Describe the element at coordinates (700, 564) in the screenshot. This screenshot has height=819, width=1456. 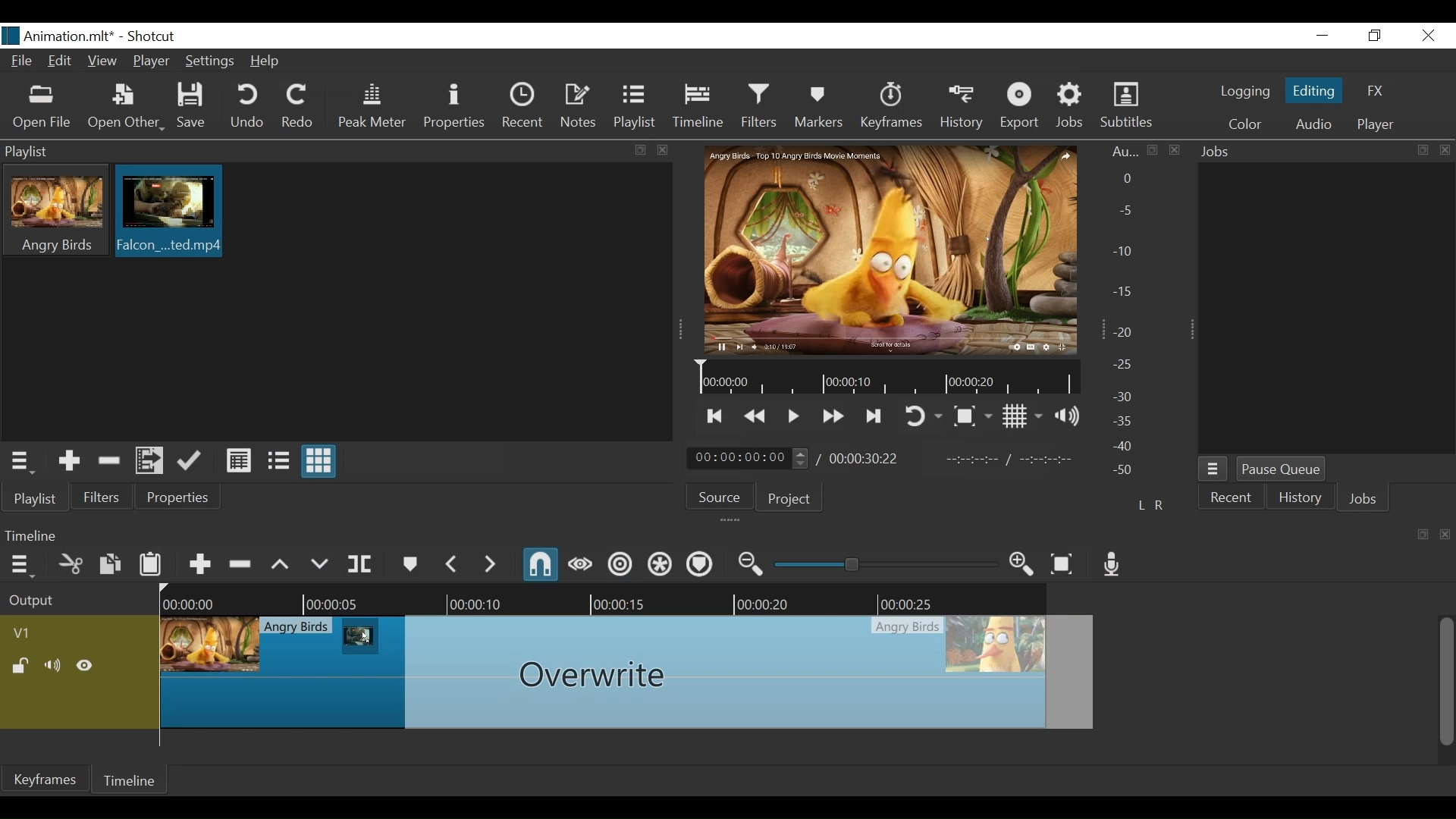
I see `Ripple Markers` at that location.